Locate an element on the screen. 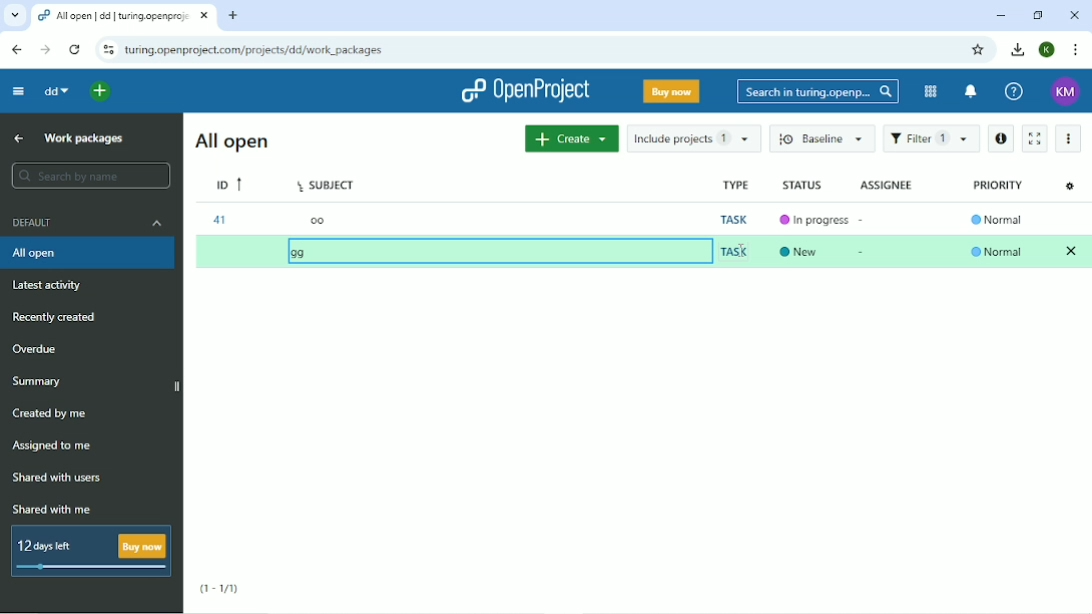 Image resolution: width=1092 pixels, height=614 pixels. All open is located at coordinates (230, 141).